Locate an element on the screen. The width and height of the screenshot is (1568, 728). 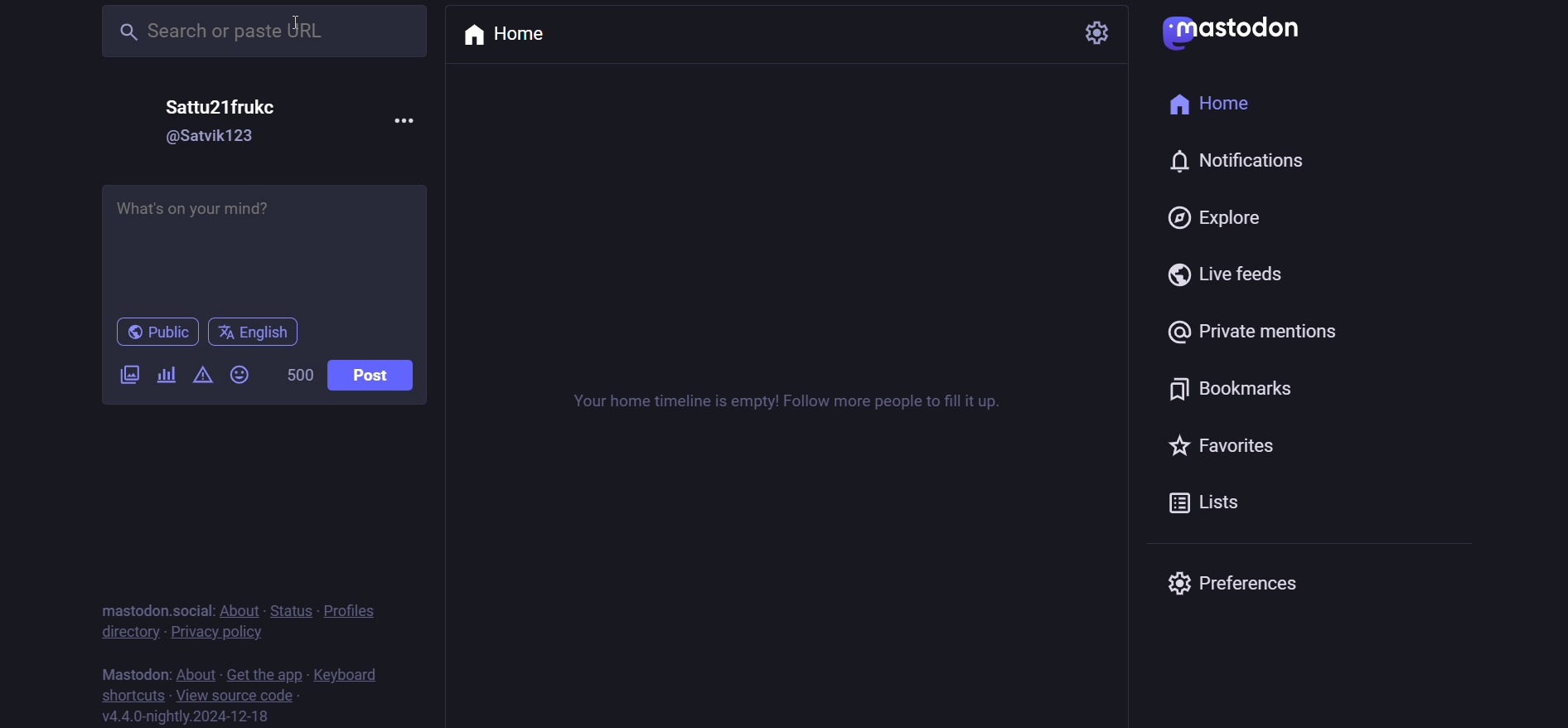
explore is located at coordinates (1217, 216).